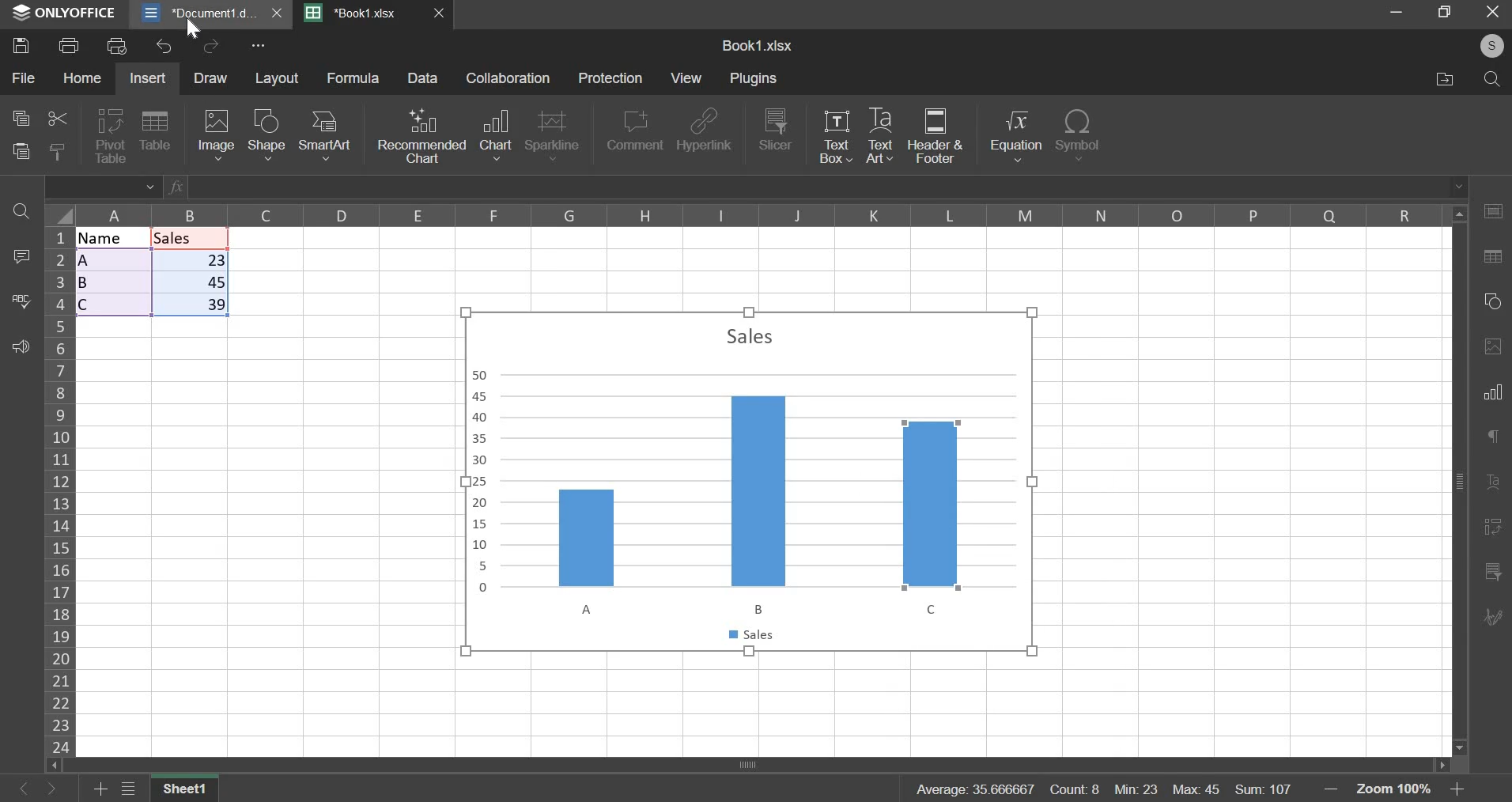  I want to click on slicer, so click(774, 130).